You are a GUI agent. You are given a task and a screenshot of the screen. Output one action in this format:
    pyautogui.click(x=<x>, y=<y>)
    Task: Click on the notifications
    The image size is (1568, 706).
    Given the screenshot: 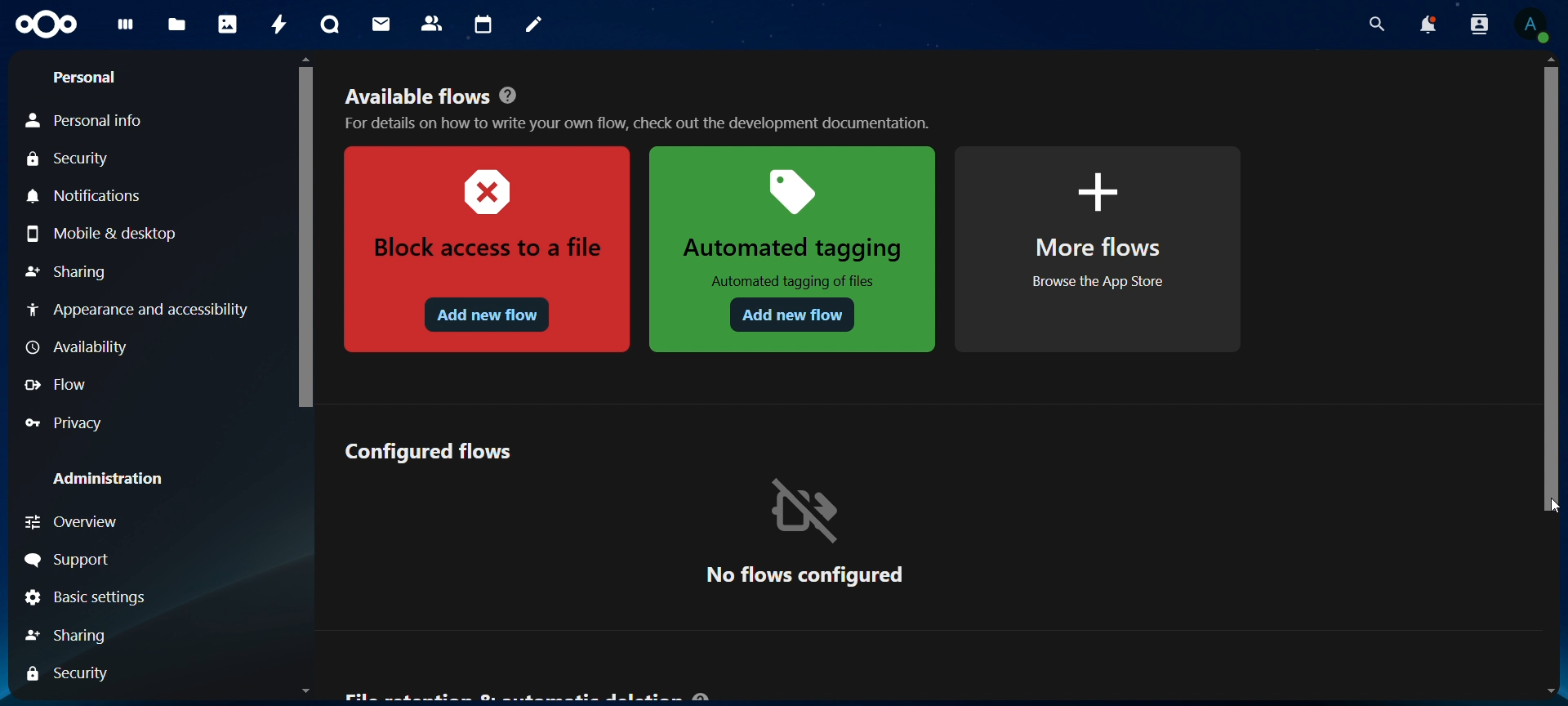 What is the action you would take?
    pyautogui.click(x=1427, y=25)
    